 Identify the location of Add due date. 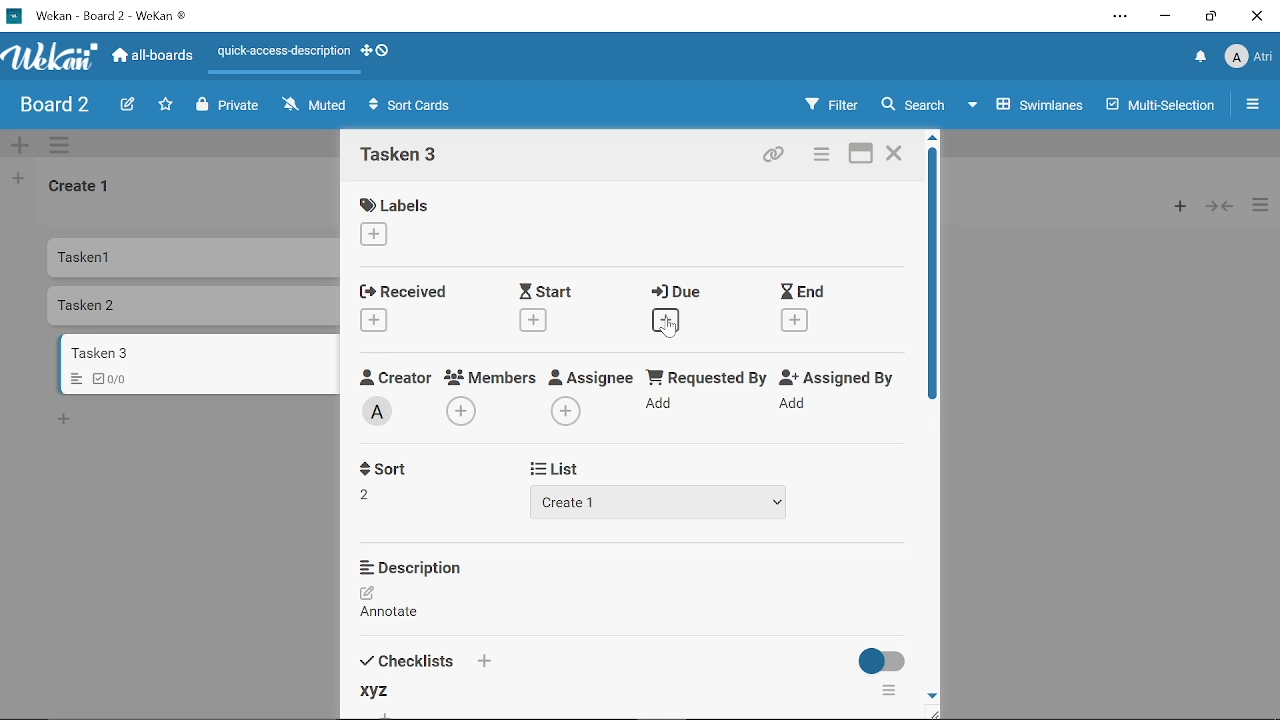
(666, 322).